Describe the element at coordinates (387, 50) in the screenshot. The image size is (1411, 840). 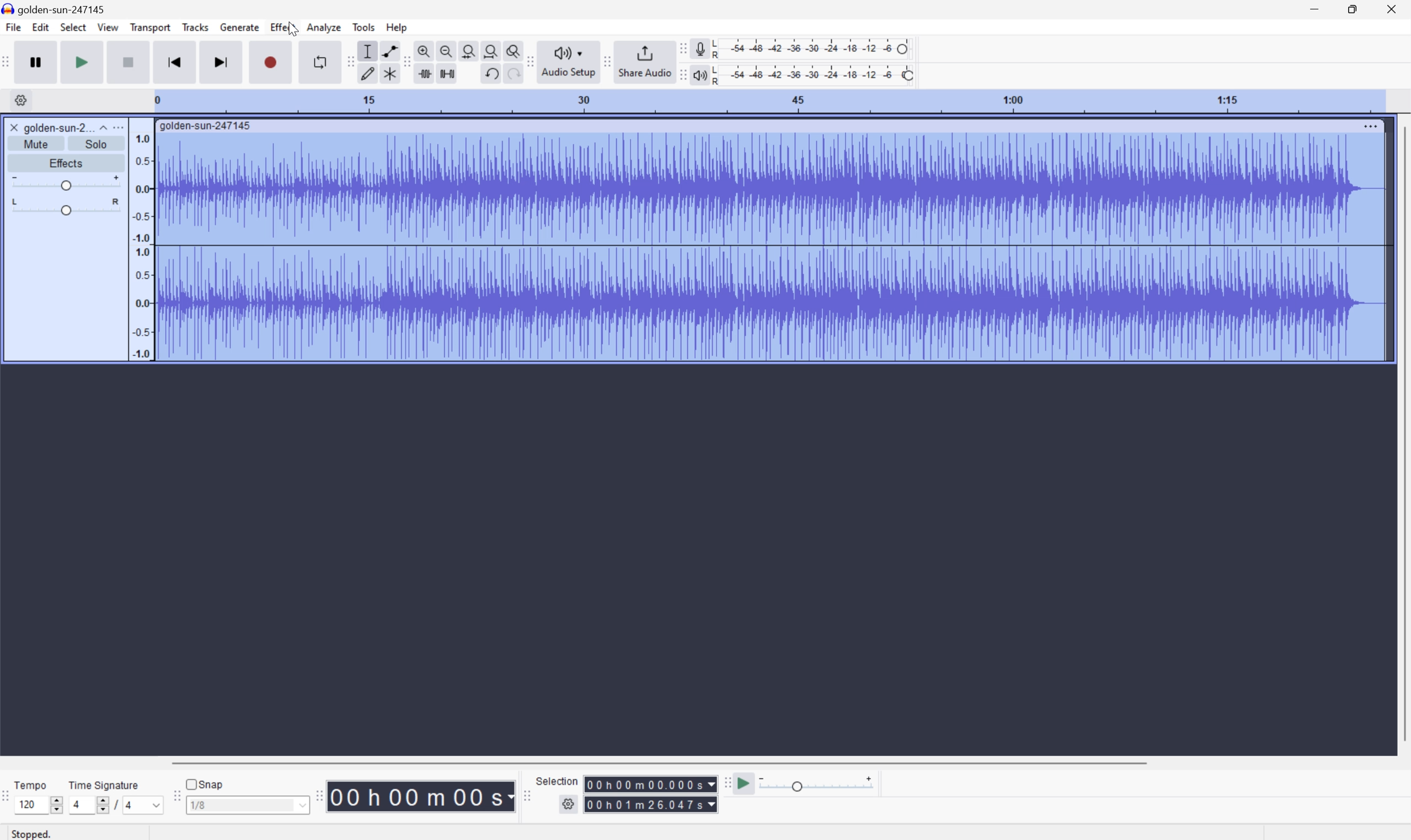
I see `Envelop tool` at that location.